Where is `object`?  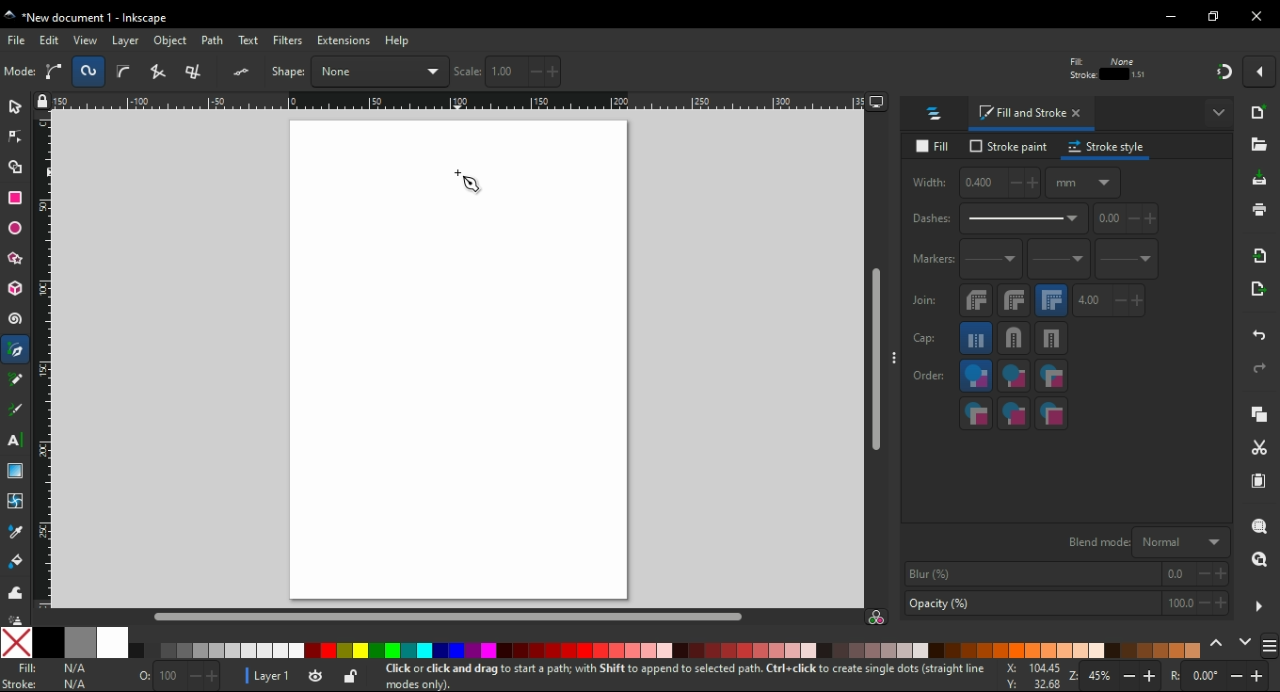 object is located at coordinates (173, 41).